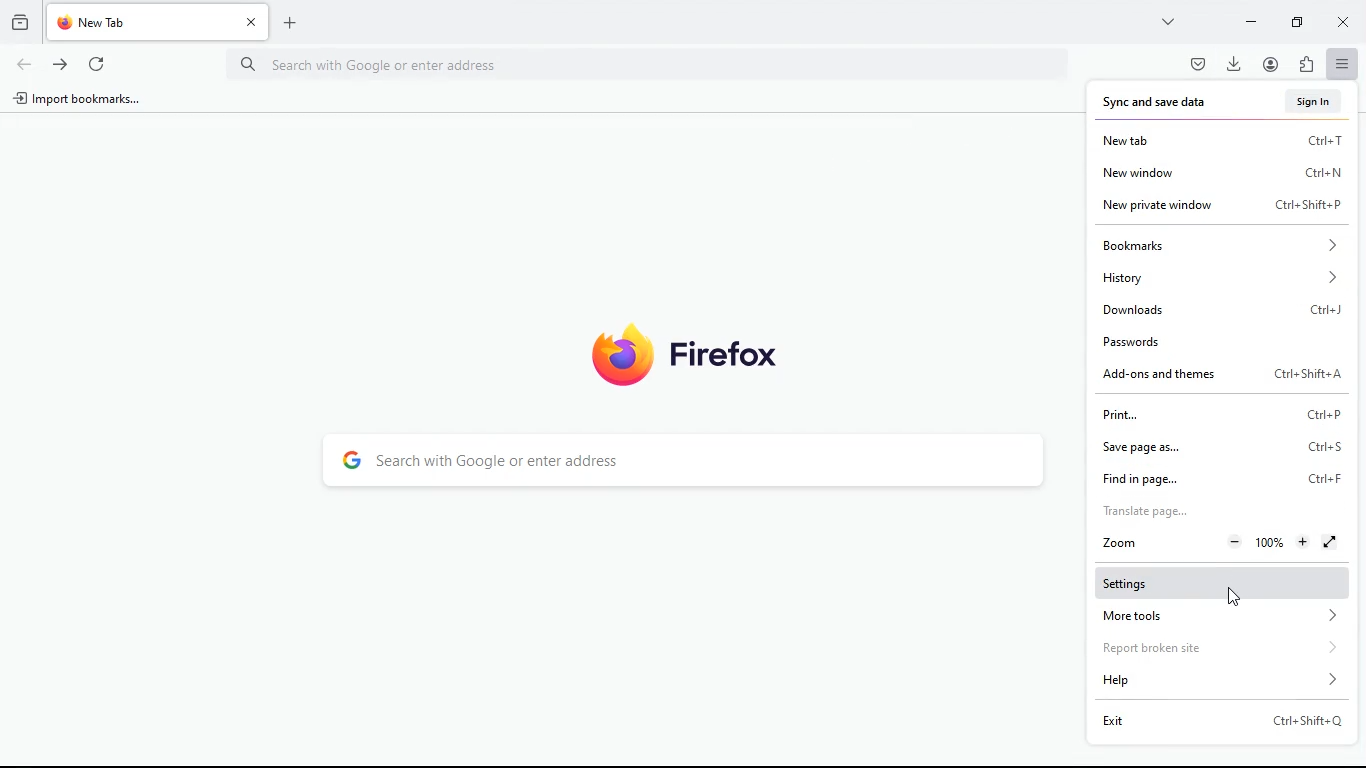 Image resolution: width=1366 pixels, height=768 pixels. I want to click on history, so click(1217, 277).